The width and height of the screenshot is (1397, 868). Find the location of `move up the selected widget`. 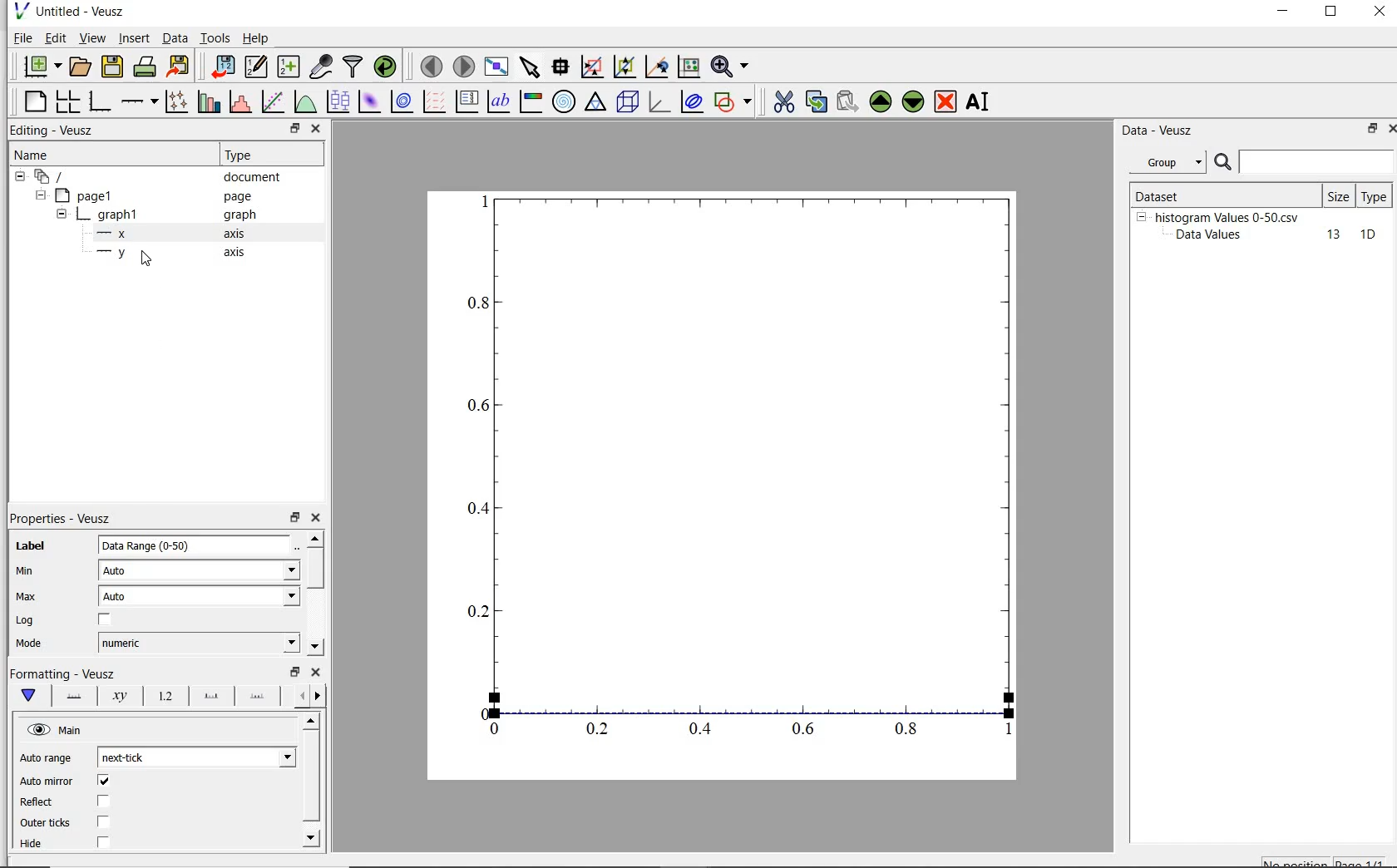

move up the selected widget is located at coordinates (879, 102).